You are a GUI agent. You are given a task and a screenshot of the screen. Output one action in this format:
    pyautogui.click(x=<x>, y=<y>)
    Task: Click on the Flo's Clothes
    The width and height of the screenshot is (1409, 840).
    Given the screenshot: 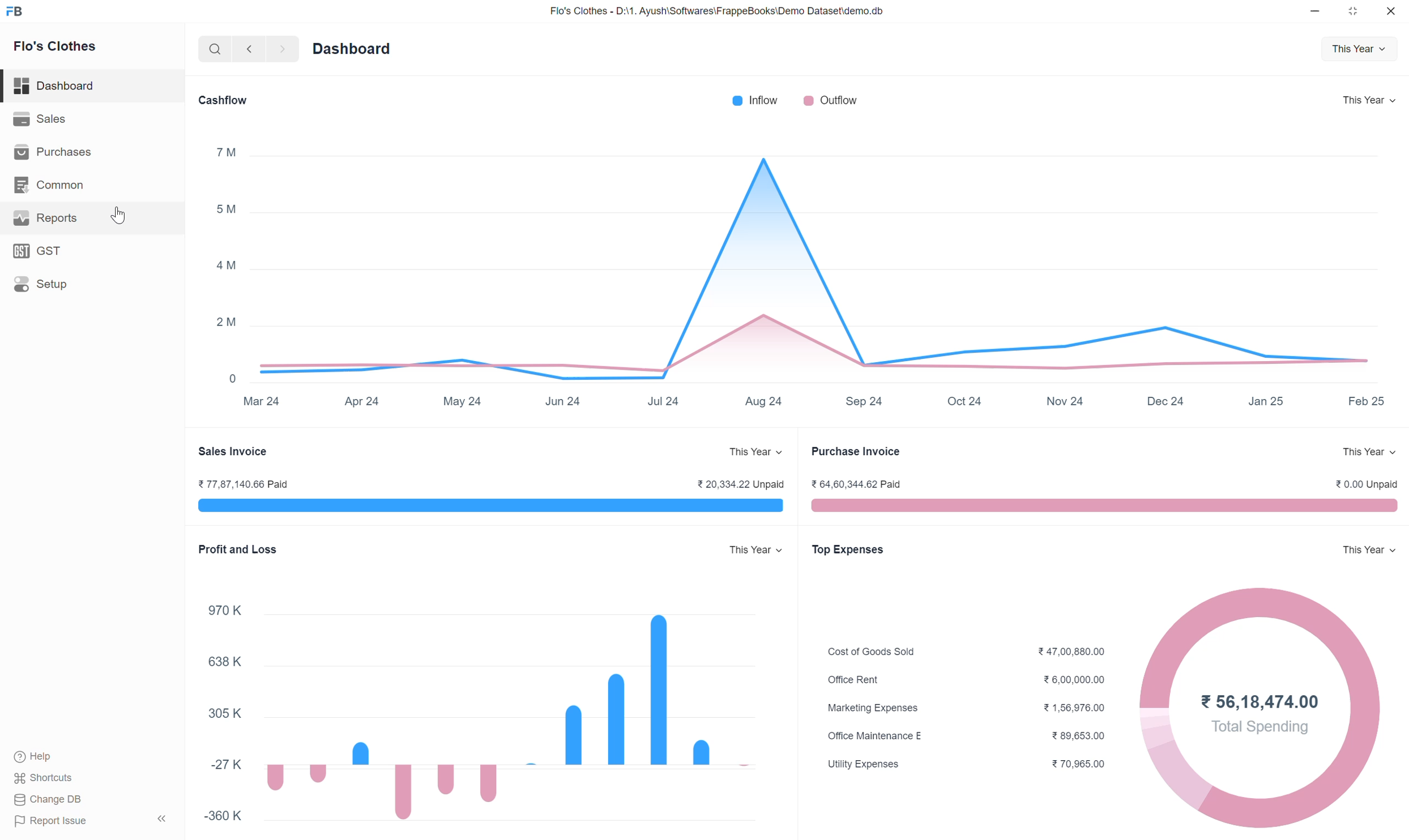 What is the action you would take?
    pyautogui.click(x=54, y=47)
    